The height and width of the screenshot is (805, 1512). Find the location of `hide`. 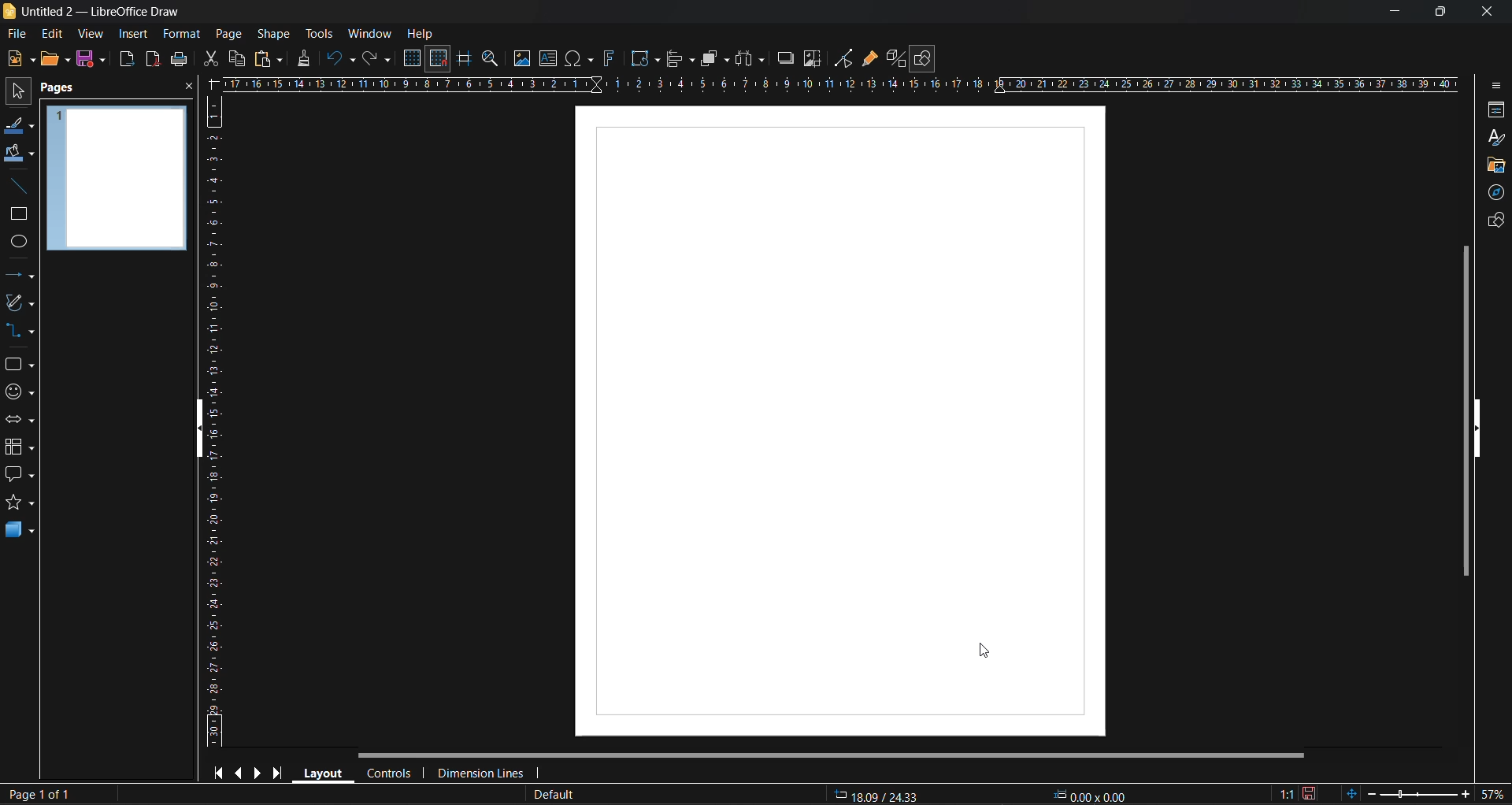

hide is located at coordinates (1484, 429).